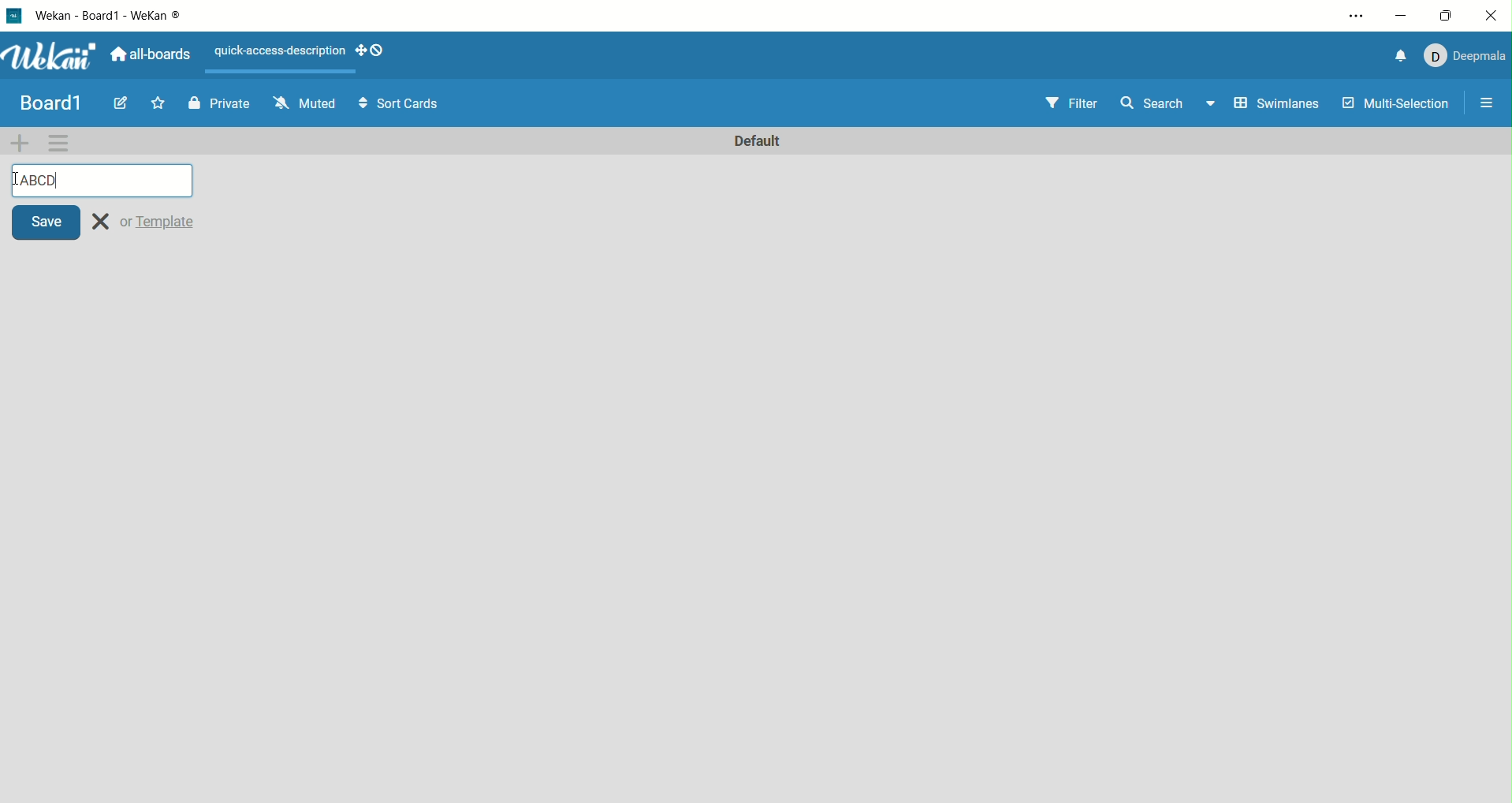  What do you see at coordinates (360, 51) in the screenshot?
I see `show-desktop-drag-handles` at bounding box center [360, 51].